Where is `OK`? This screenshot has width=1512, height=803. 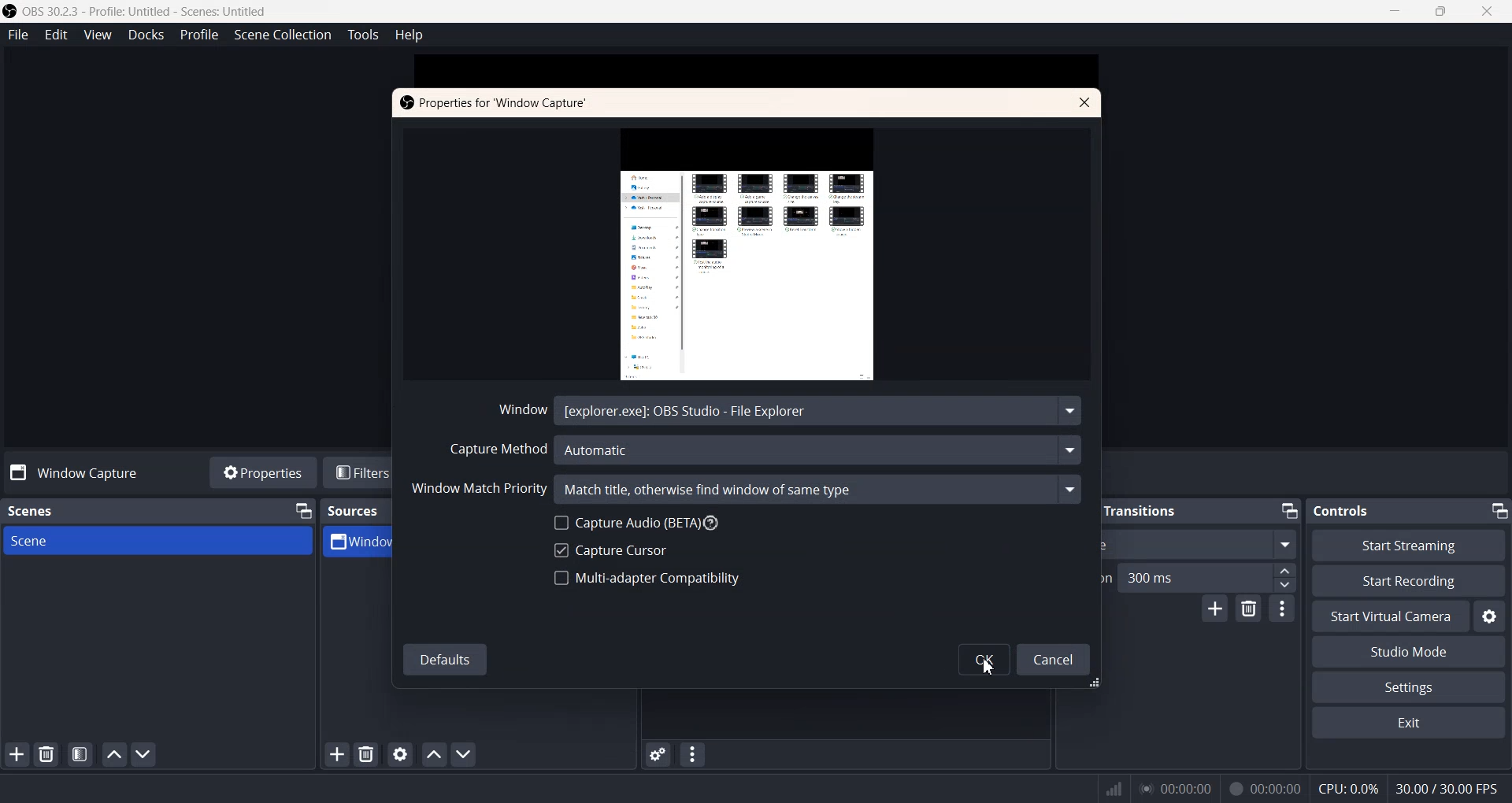
OK is located at coordinates (981, 660).